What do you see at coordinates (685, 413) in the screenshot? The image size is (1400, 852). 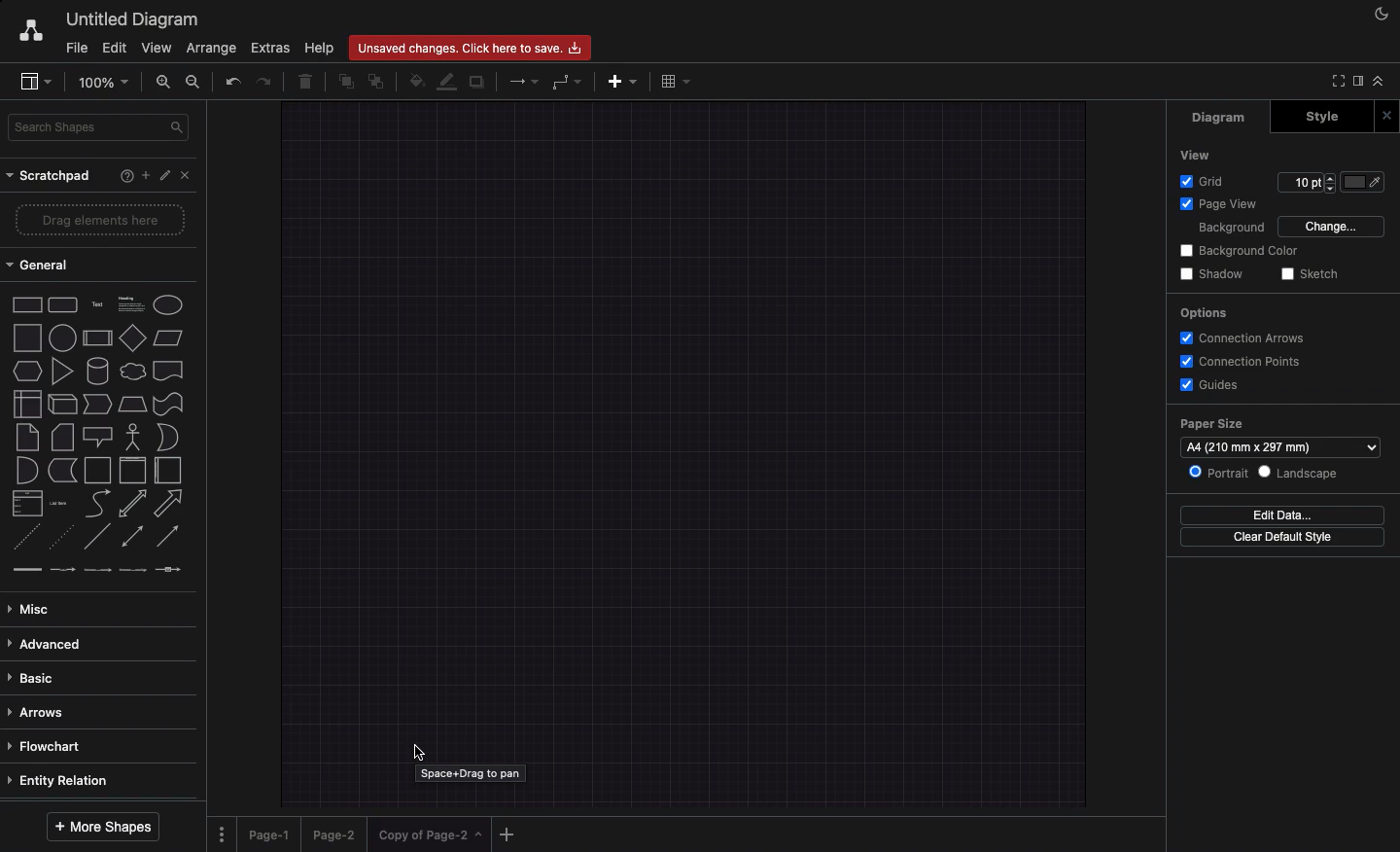 I see `Canvas` at bounding box center [685, 413].